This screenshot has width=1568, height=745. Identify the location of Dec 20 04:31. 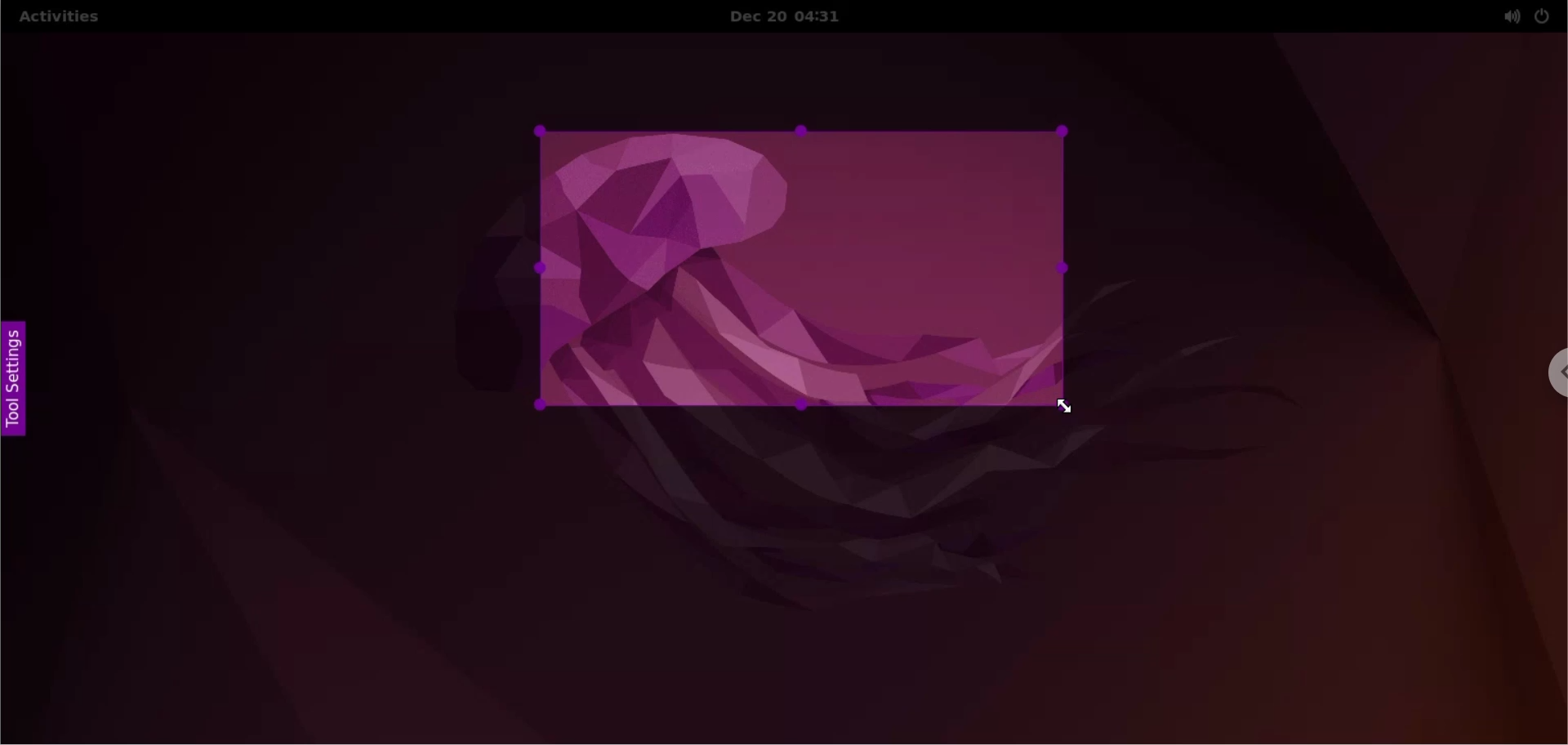
(791, 17).